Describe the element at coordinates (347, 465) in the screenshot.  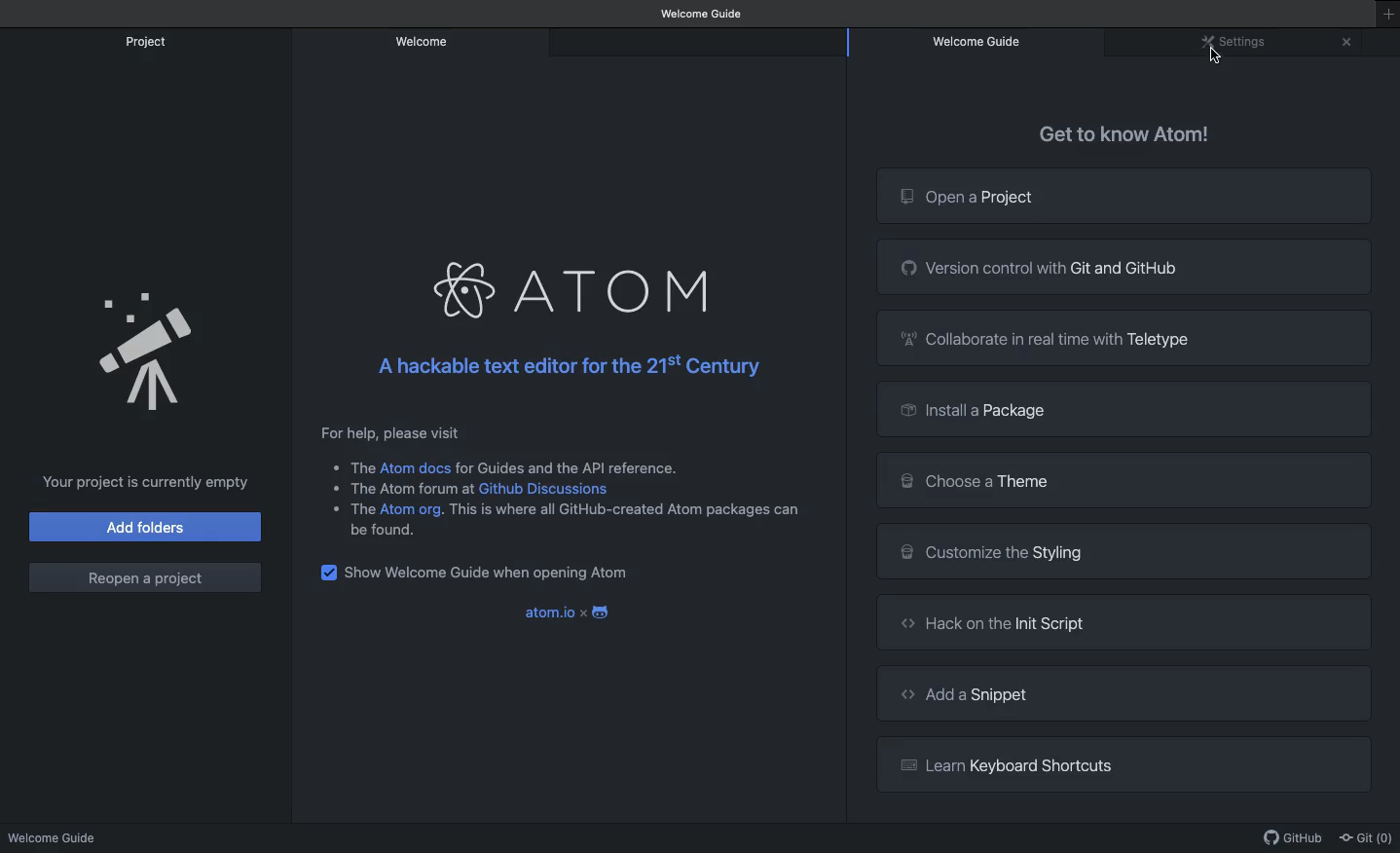
I see `© The` at that location.